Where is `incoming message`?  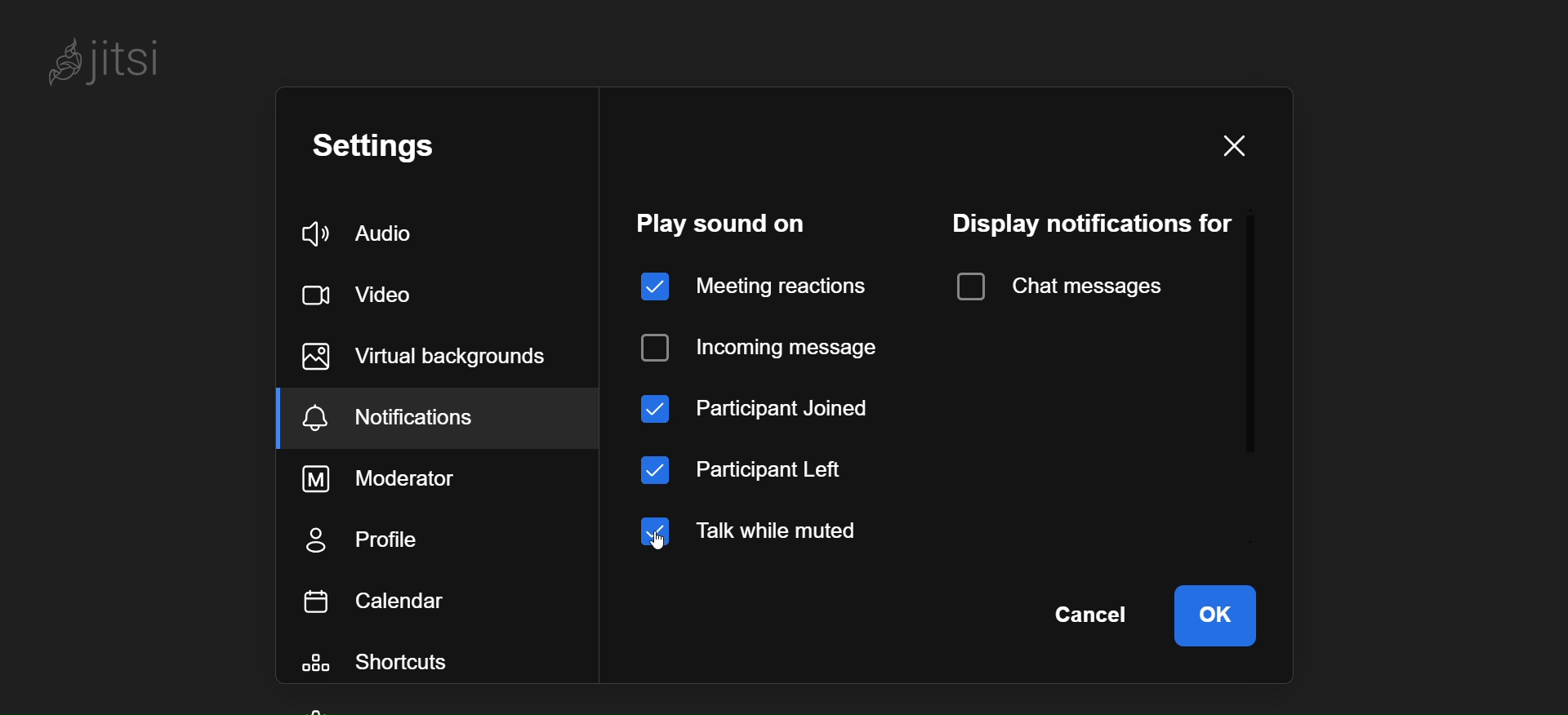 incoming message is located at coordinates (764, 341).